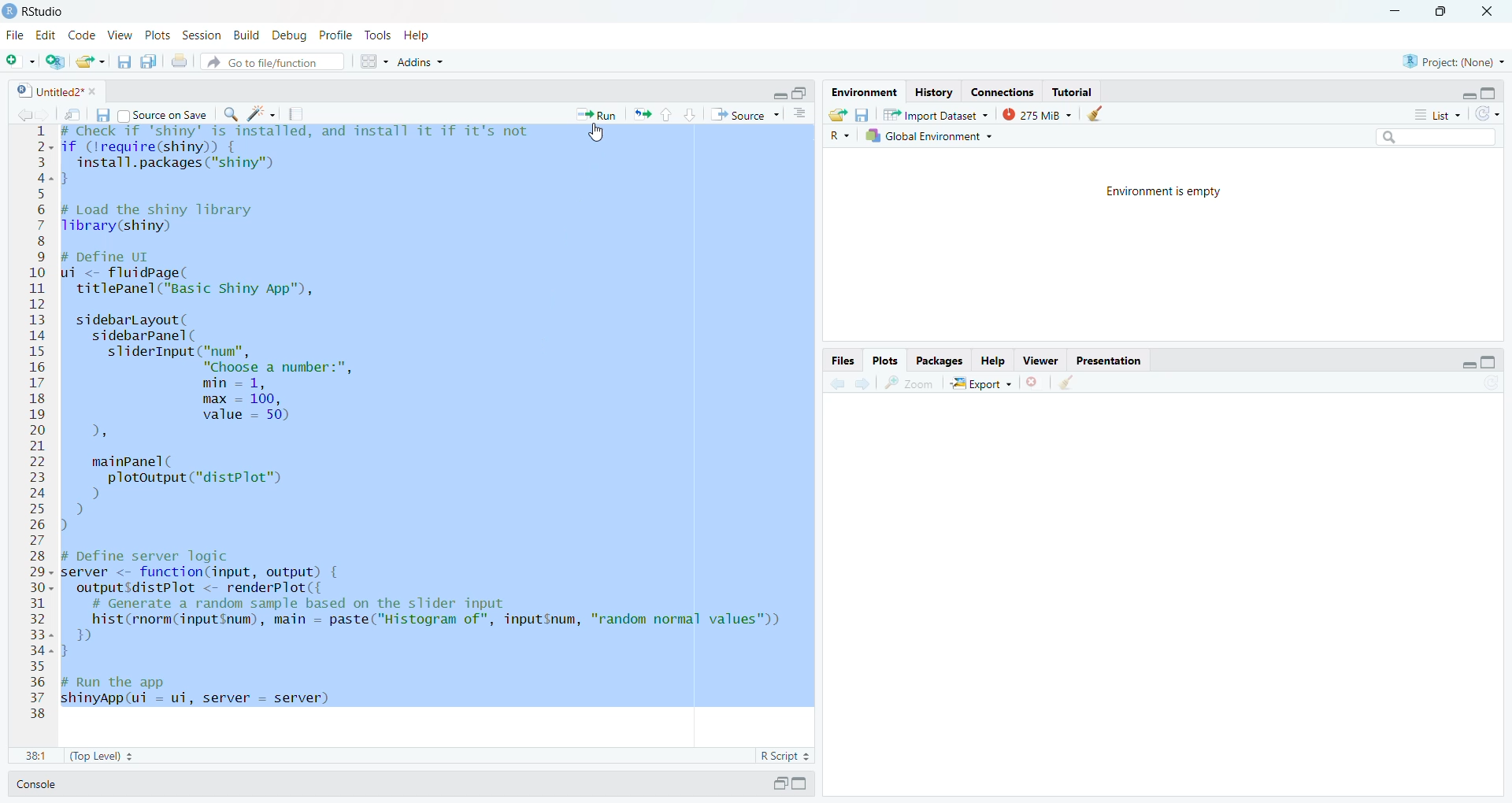  I want to click on compile report, so click(295, 113).